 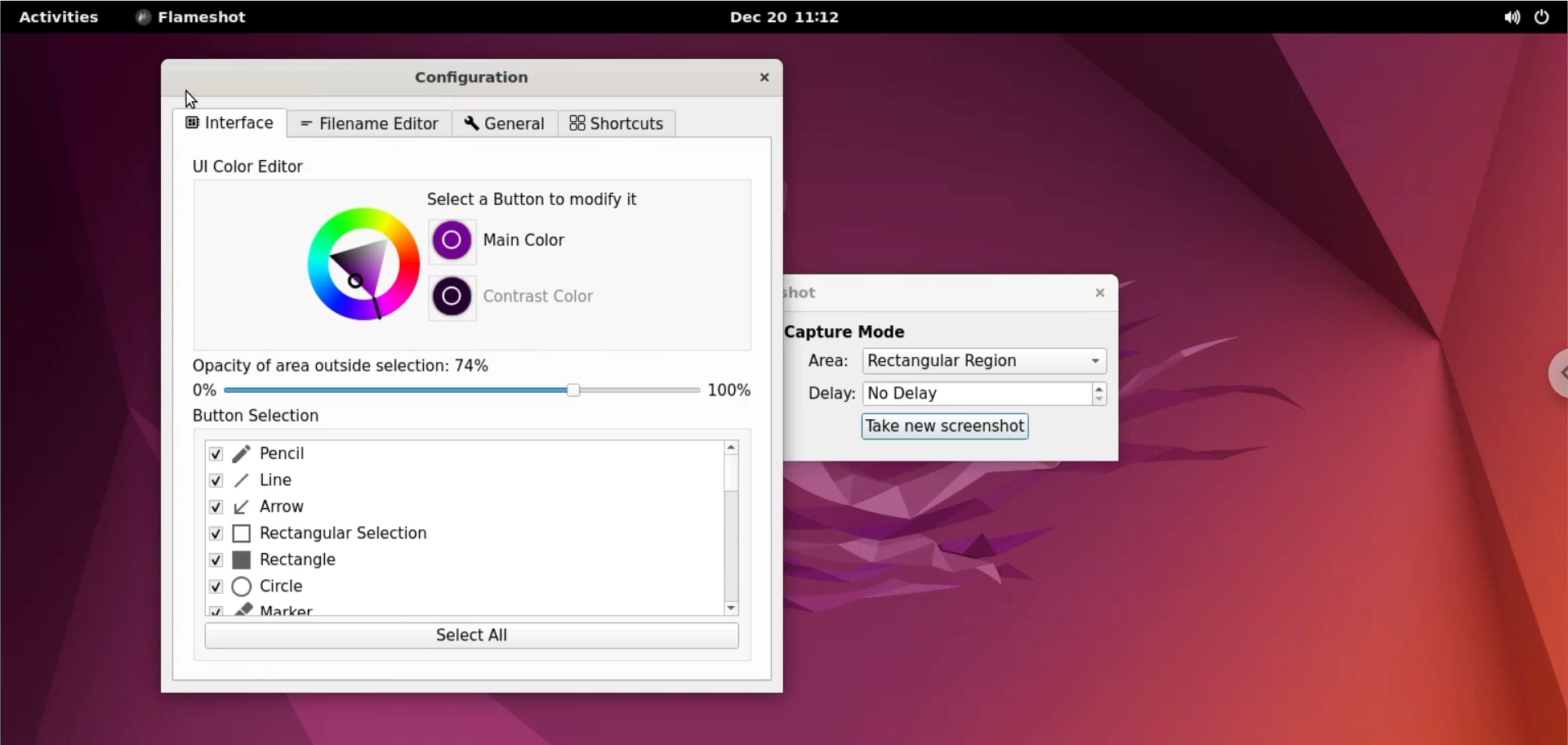 What do you see at coordinates (356, 361) in the screenshot?
I see `opacity of area outside selection: 74%` at bounding box center [356, 361].